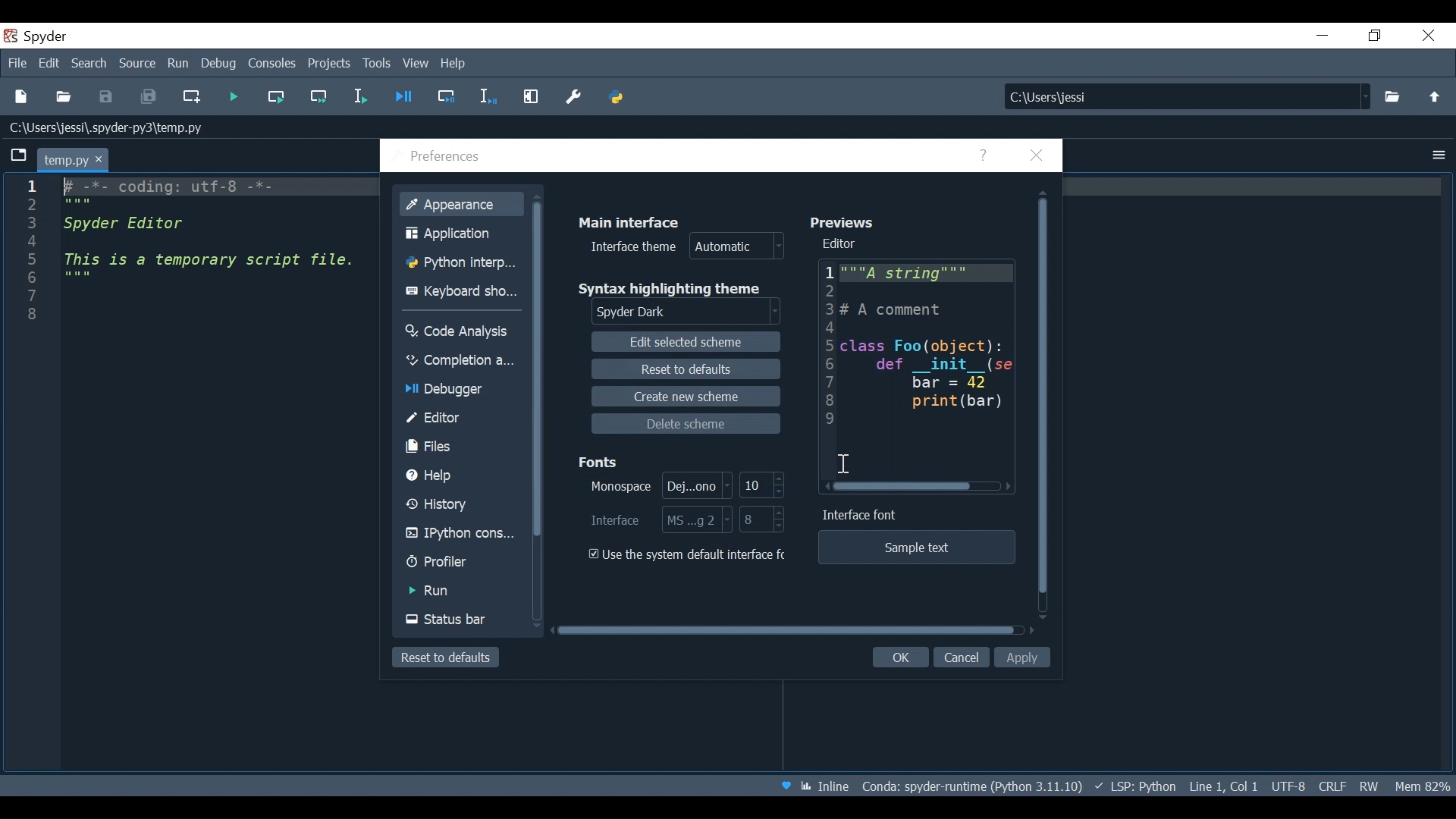 This screenshot has height=819, width=1456. What do you see at coordinates (375, 64) in the screenshot?
I see `Tools` at bounding box center [375, 64].